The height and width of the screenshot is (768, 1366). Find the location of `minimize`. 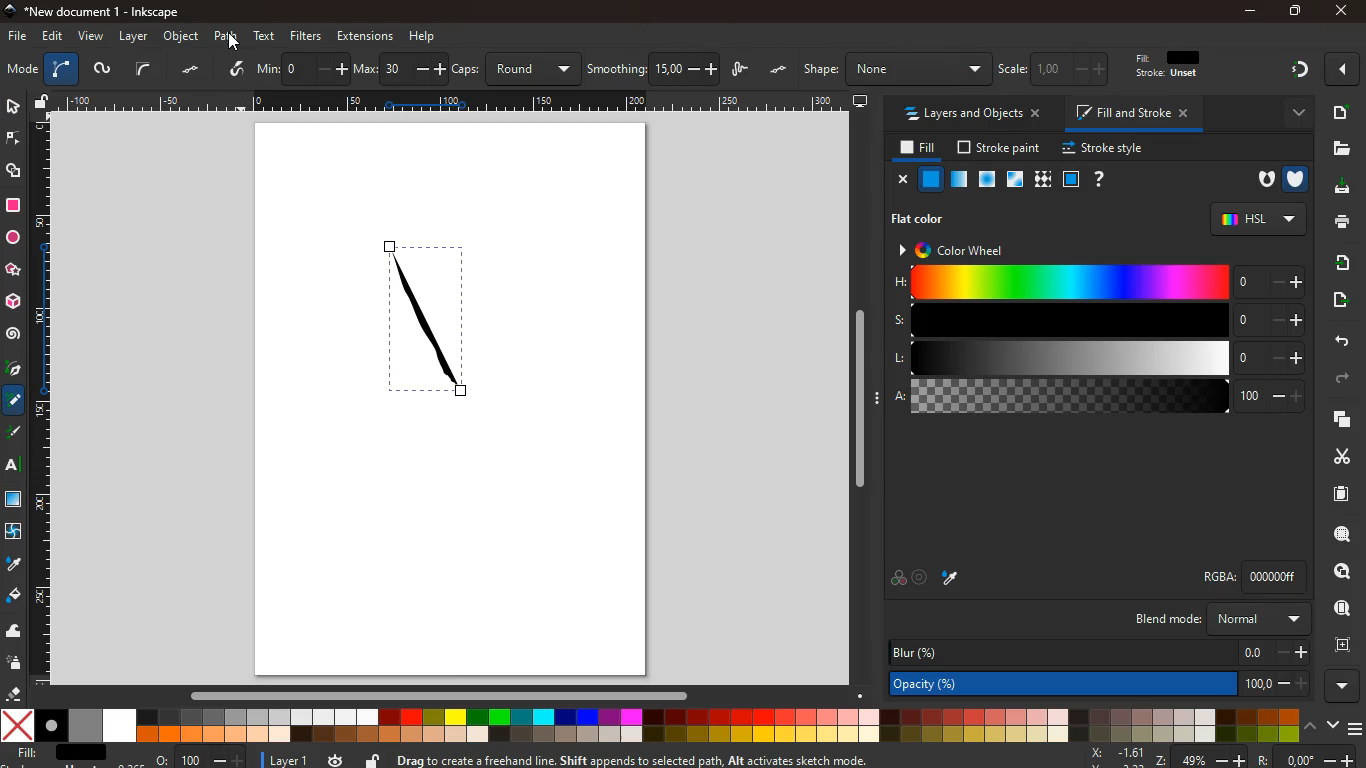

minimize is located at coordinates (1252, 12).